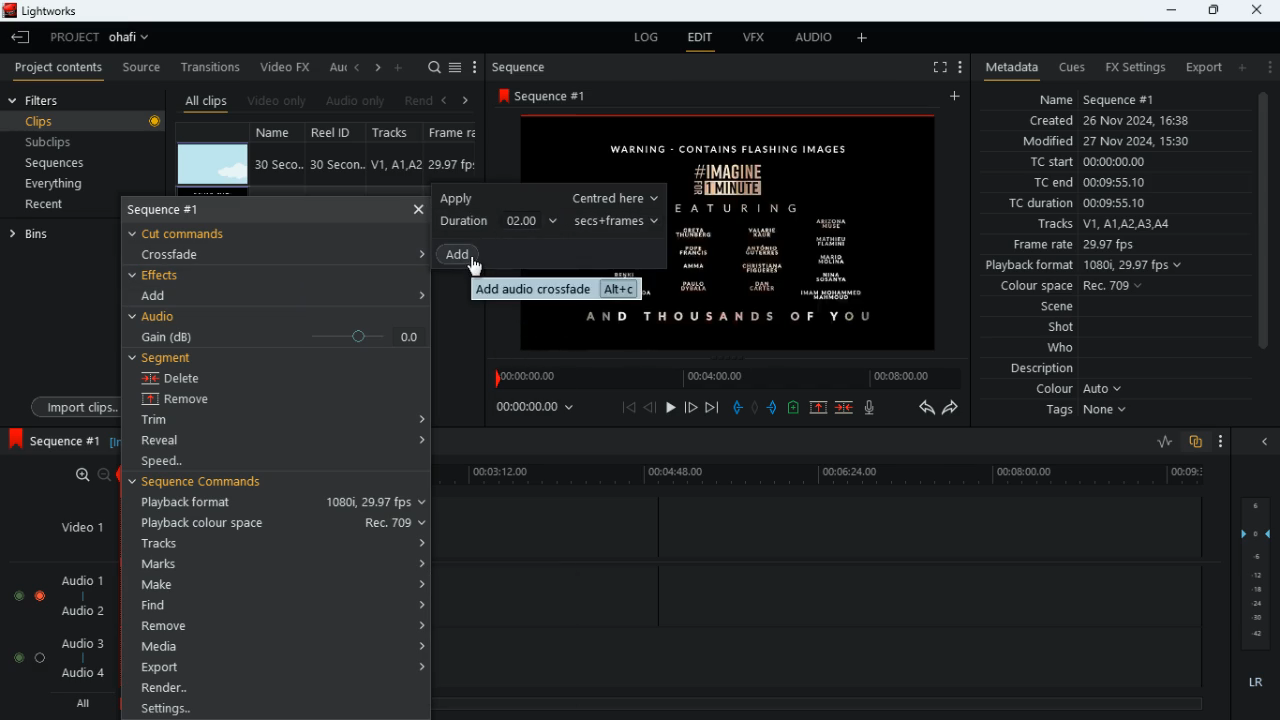  What do you see at coordinates (1213, 10) in the screenshot?
I see `maximize` at bounding box center [1213, 10].